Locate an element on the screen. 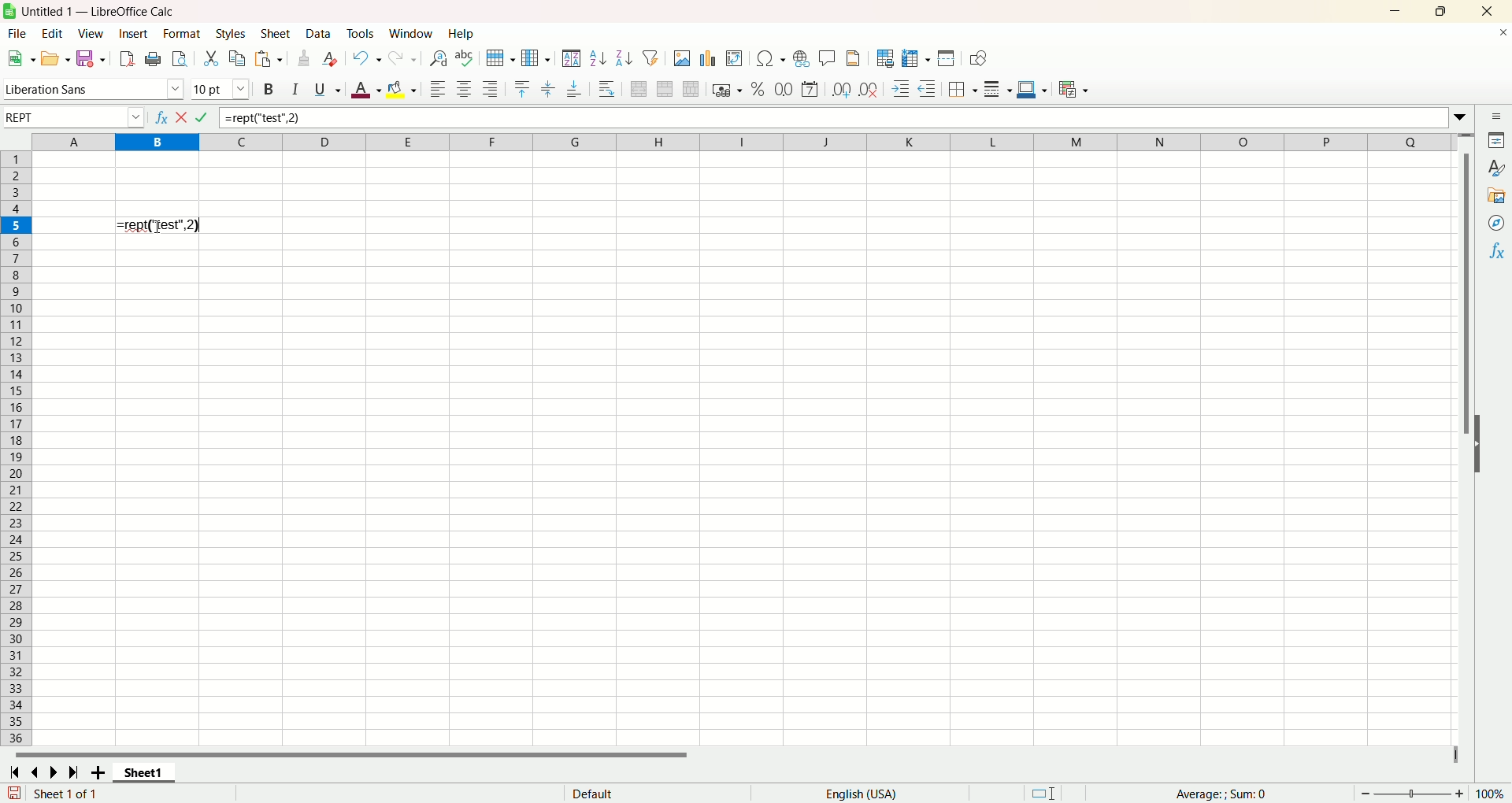 The height and width of the screenshot is (803, 1512). format as percent is located at coordinates (760, 89).